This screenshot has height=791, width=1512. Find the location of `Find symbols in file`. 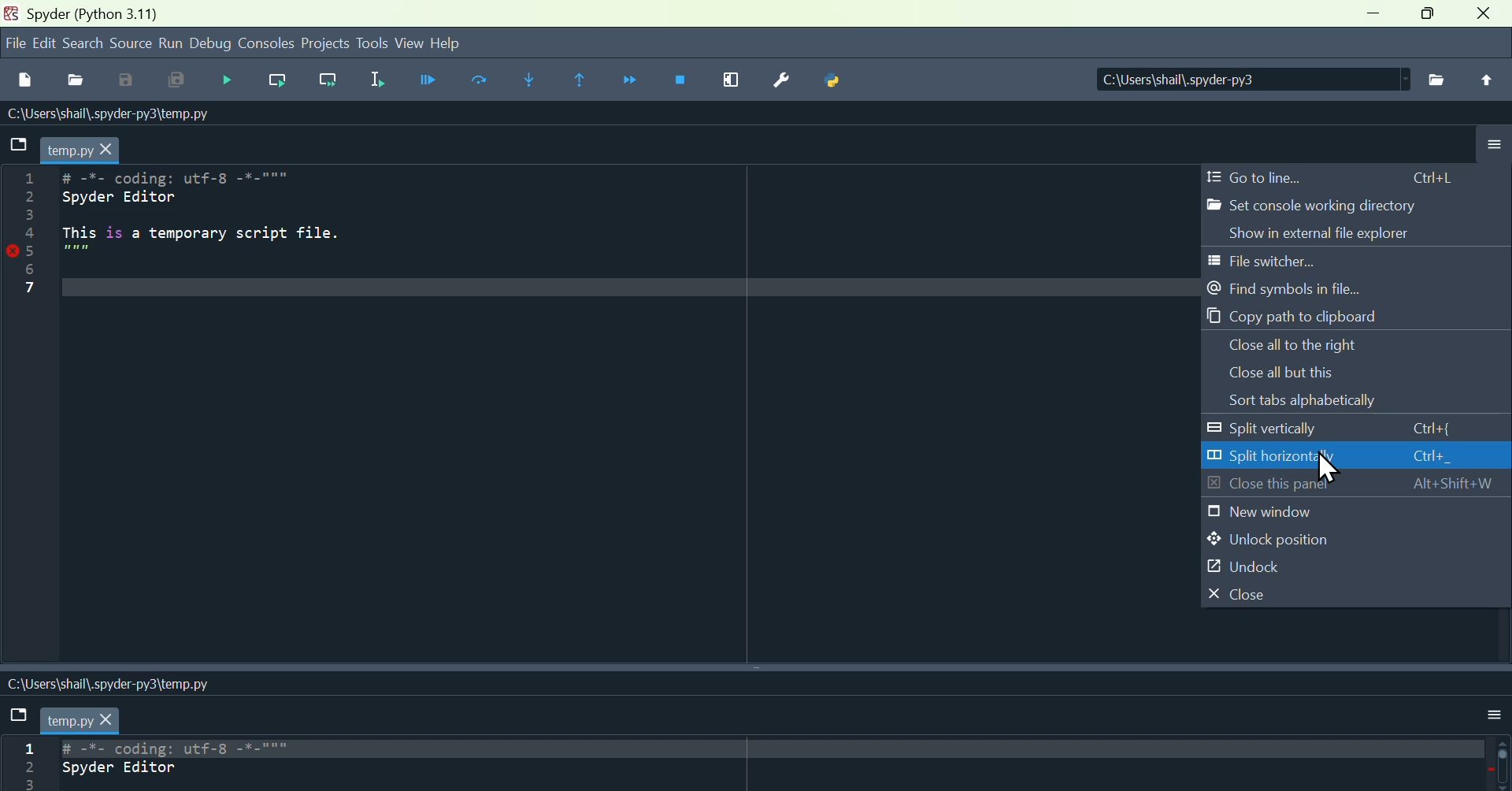

Find symbols in file is located at coordinates (1297, 291).